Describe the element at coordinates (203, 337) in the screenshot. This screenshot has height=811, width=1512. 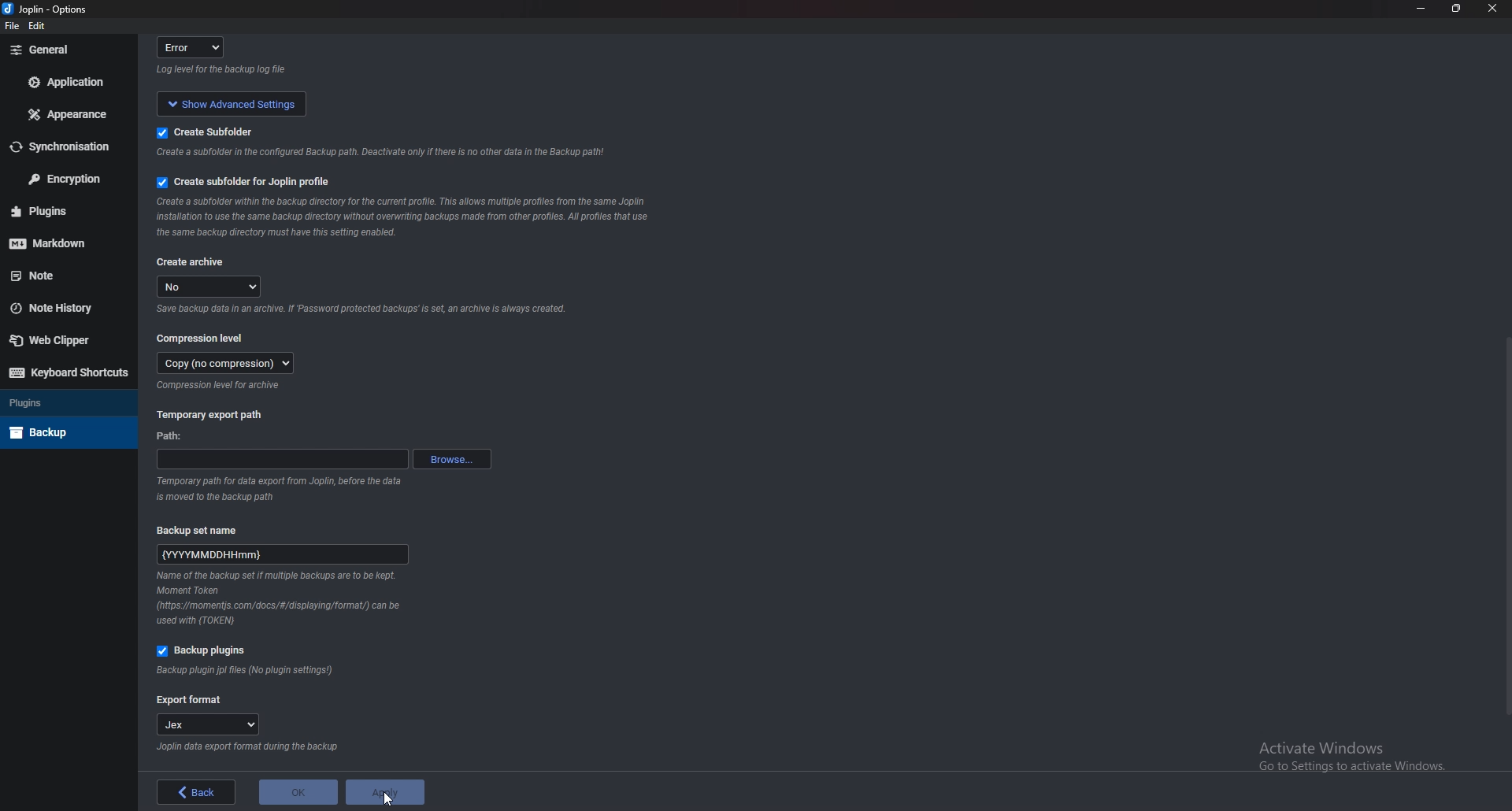
I see `Compression level` at that location.